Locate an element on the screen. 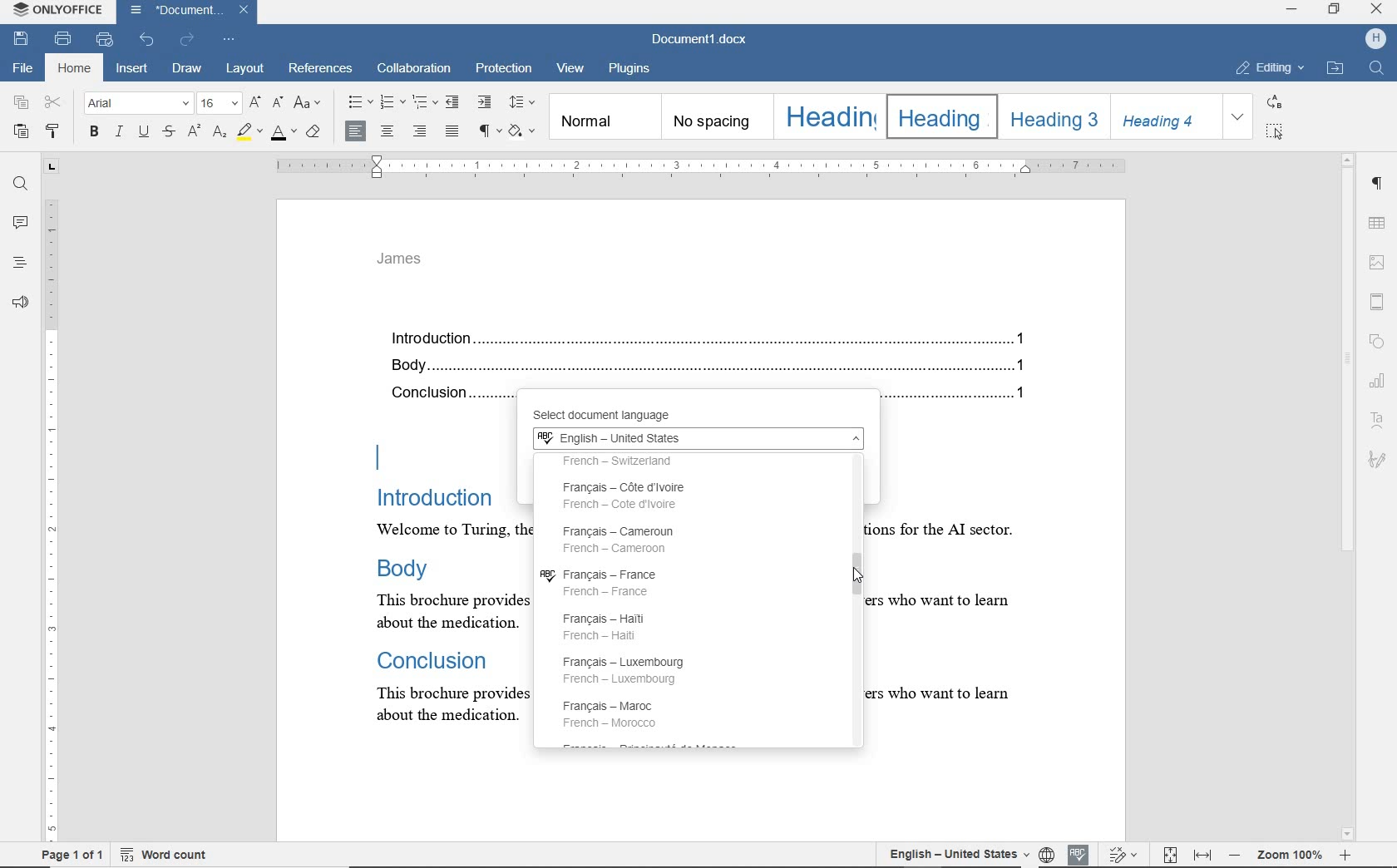  home is located at coordinates (73, 69).